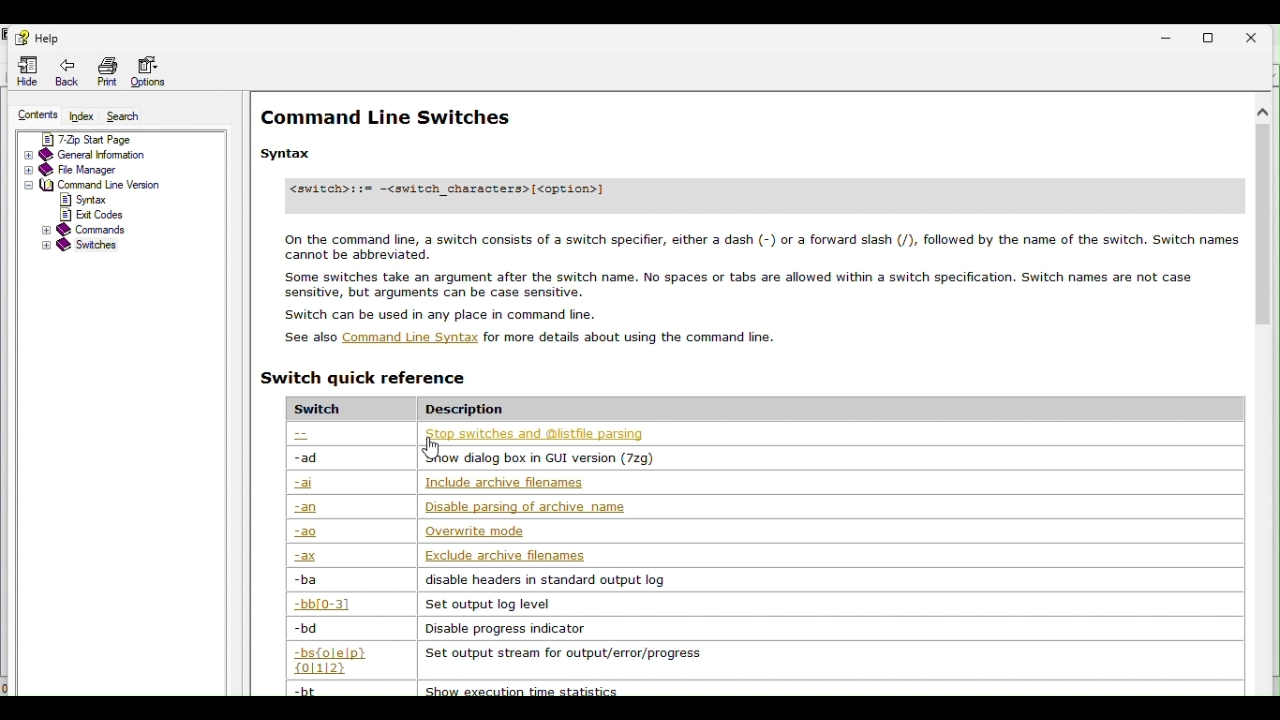 Image resolution: width=1280 pixels, height=720 pixels. What do you see at coordinates (757, 195) in the screenshot?
I see `` at bounding box center [757, 195].